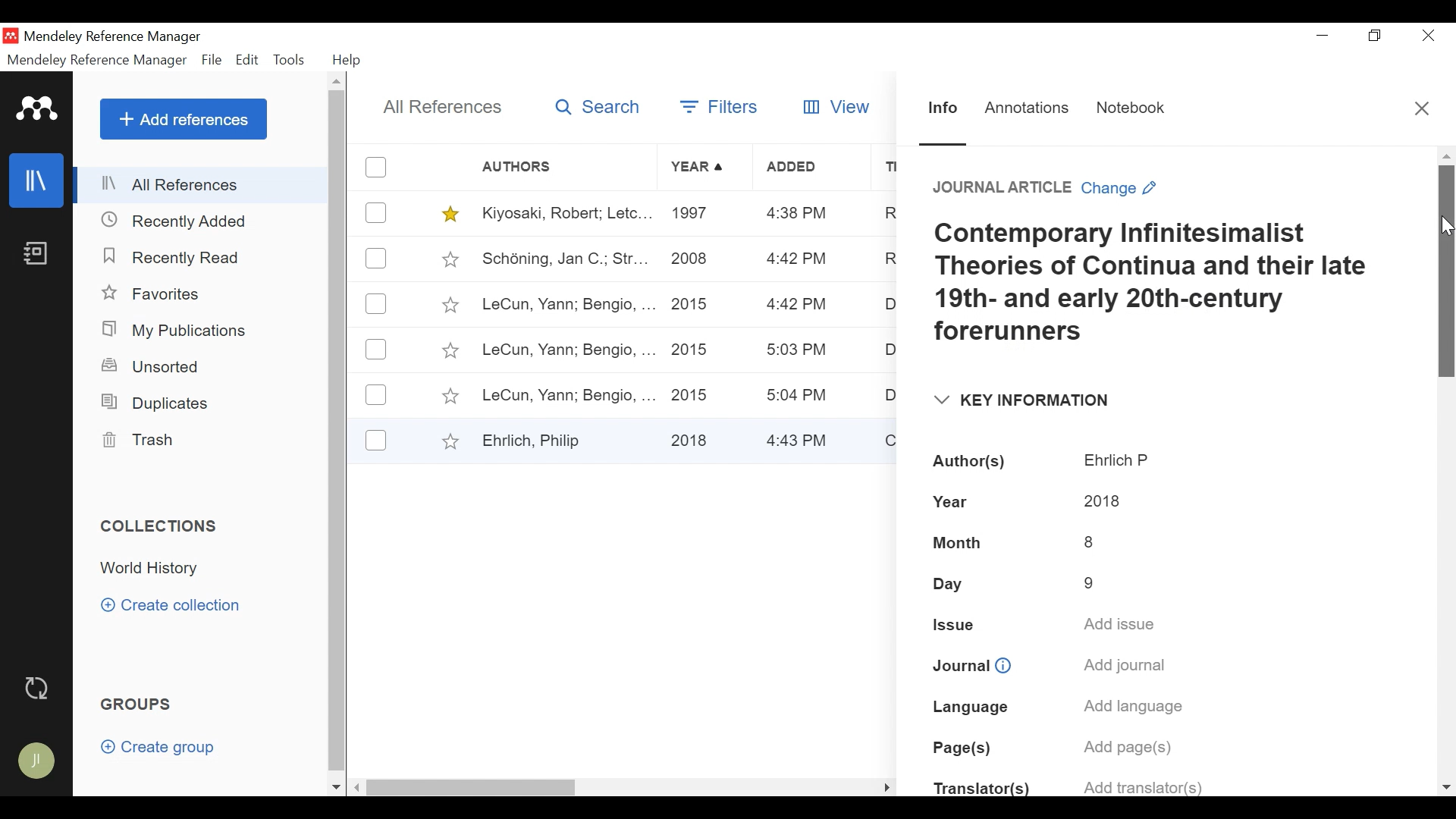 Image resolution: width=1456 pixels, height=819 pixels. I want to click on 2015, so click(693, 303).